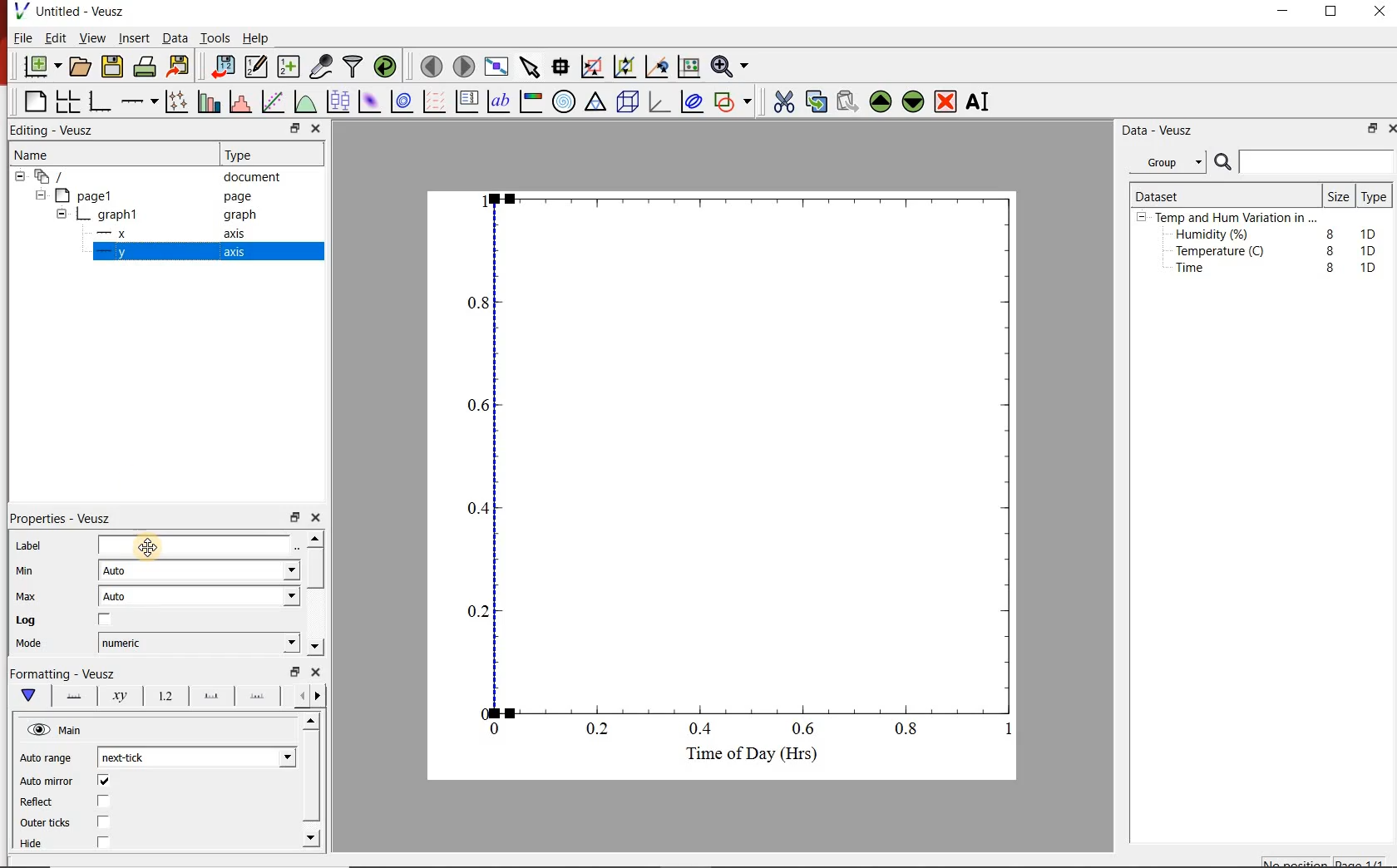  Describe the element at coordinates (262, 755) in the screenshot. I see `Auto range dropdown` at that location.